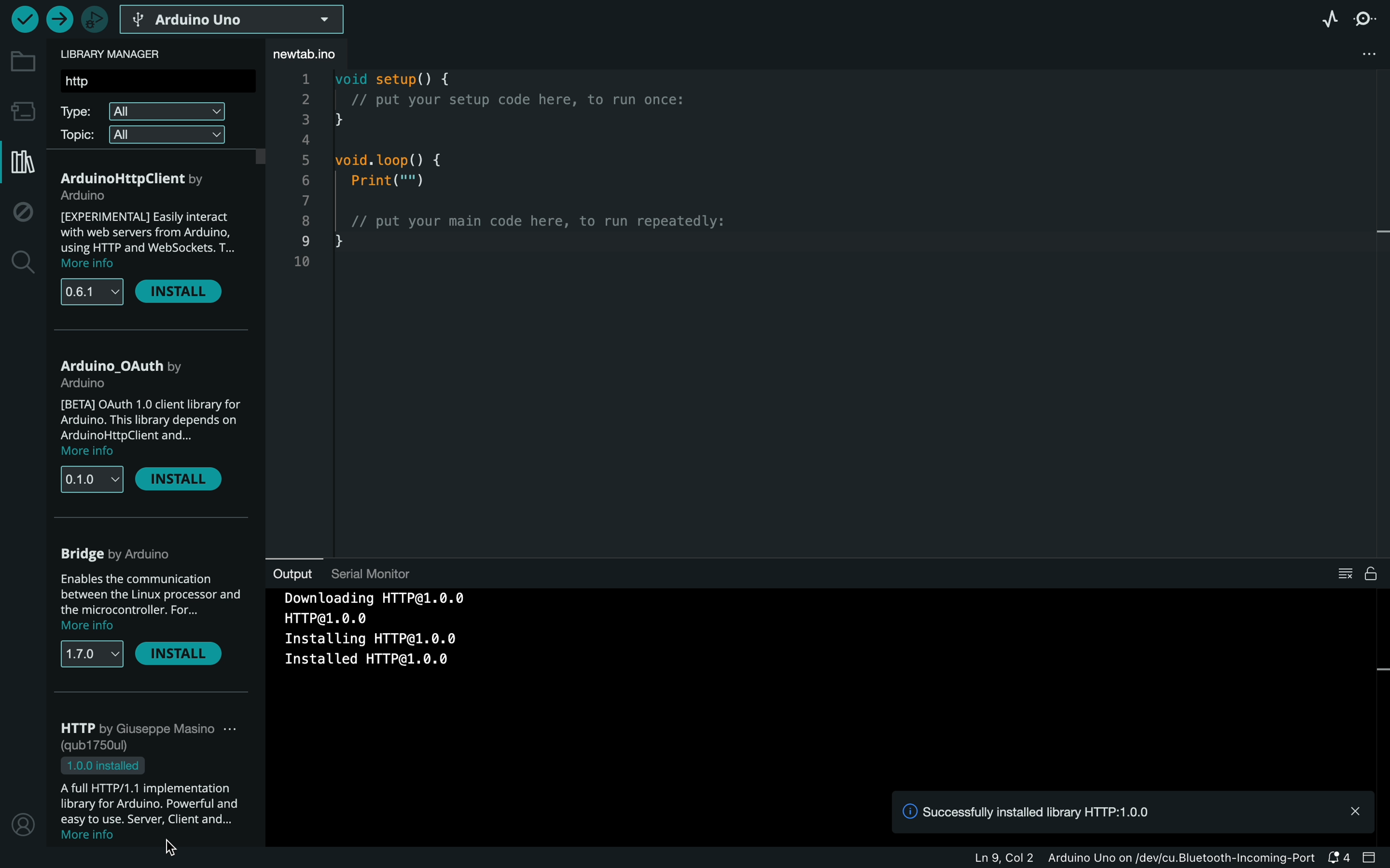  What do you see at coordinates (1338, 859) in the screenshot?
I see `notification` at bounding box center [1338, 859].